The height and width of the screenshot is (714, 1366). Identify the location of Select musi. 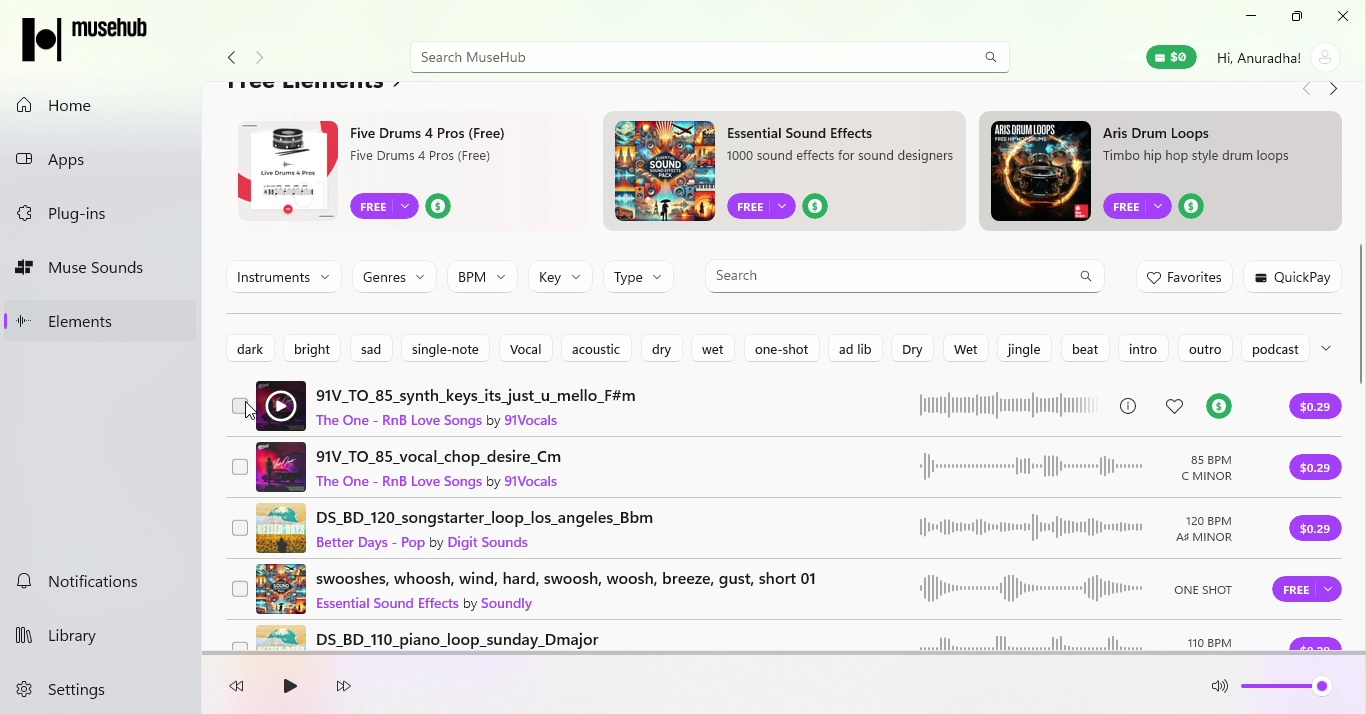
(240, 528).